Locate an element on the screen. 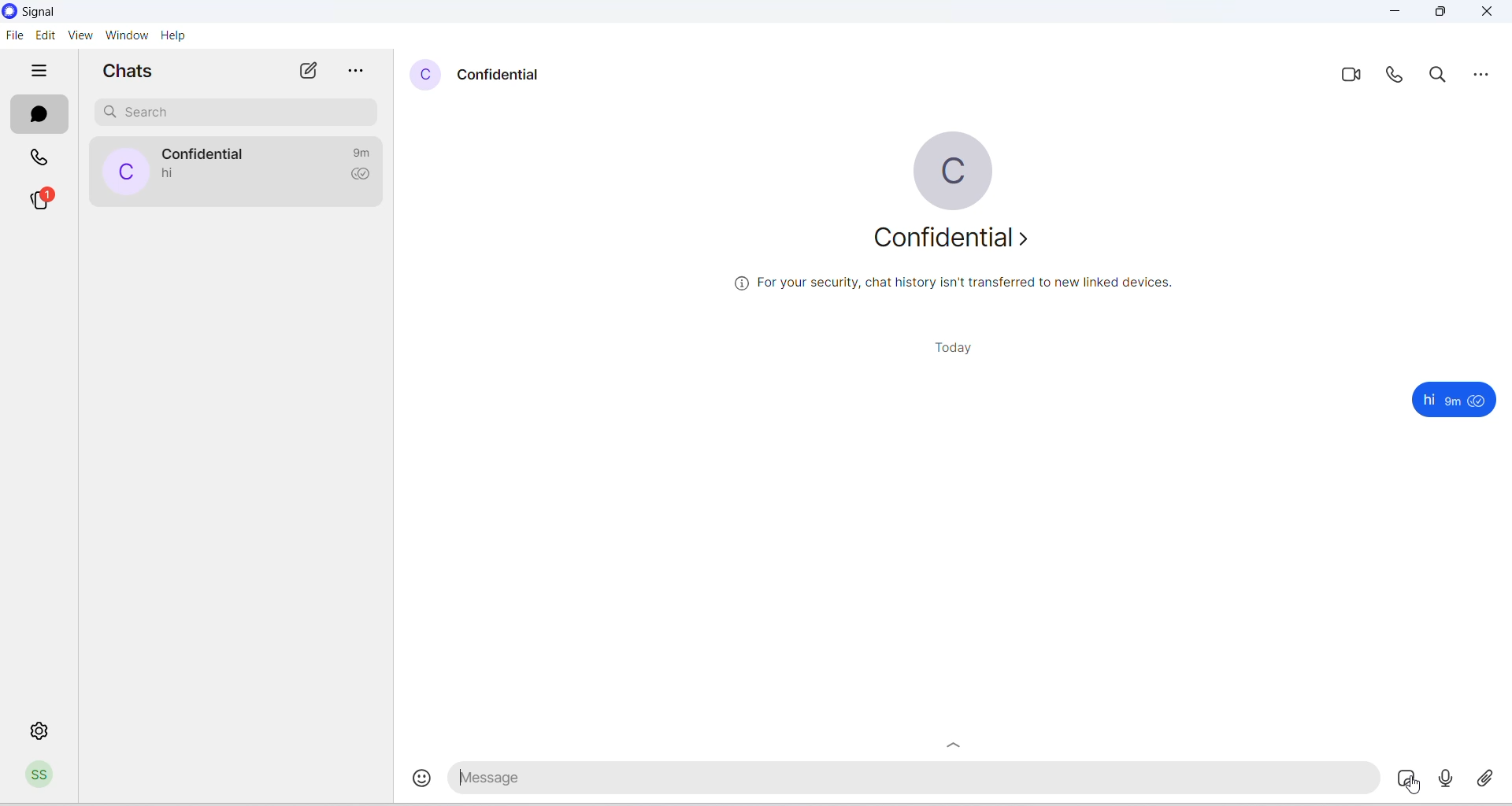  message text area is located at coordinates (916, 781).